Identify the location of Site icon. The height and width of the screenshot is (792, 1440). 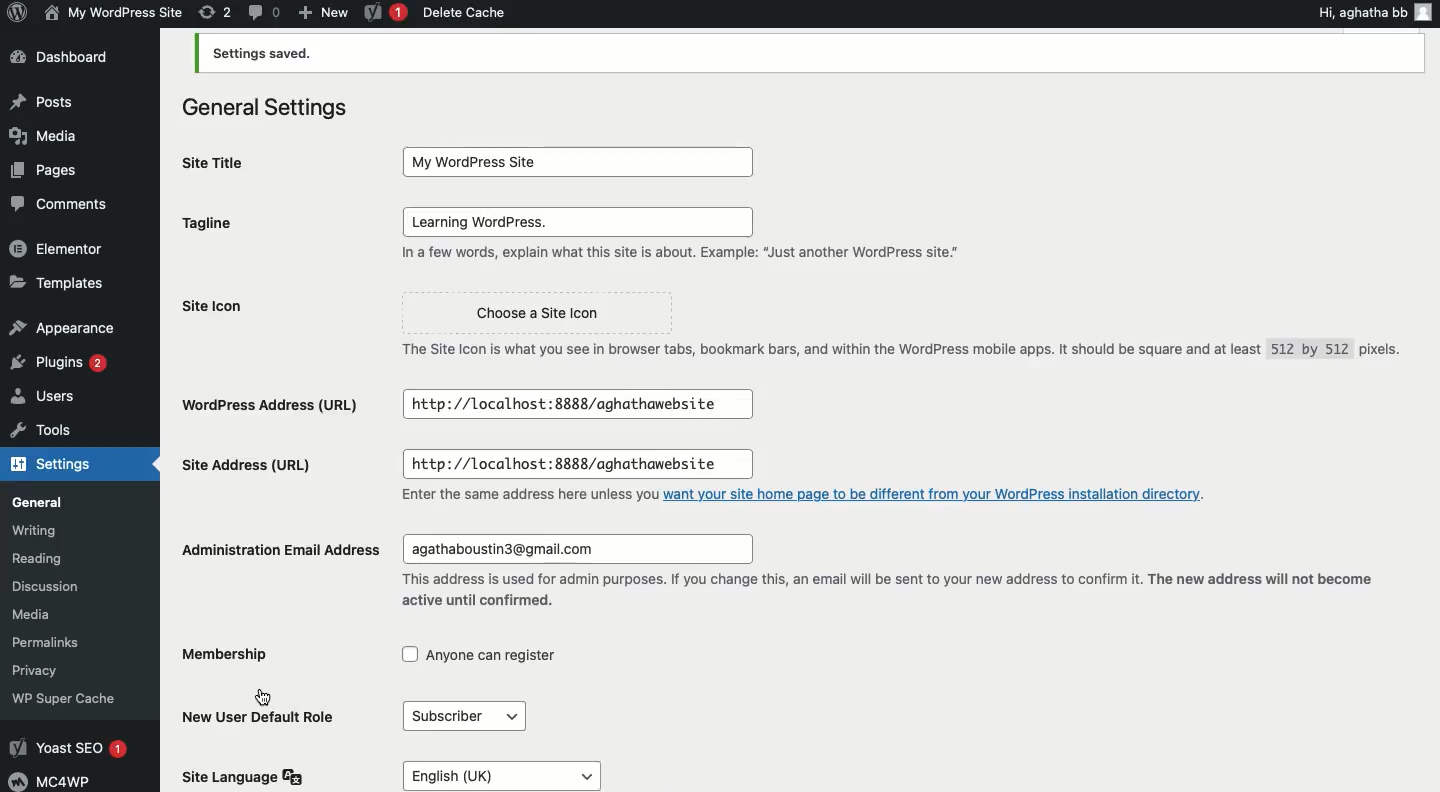
(264, 305).